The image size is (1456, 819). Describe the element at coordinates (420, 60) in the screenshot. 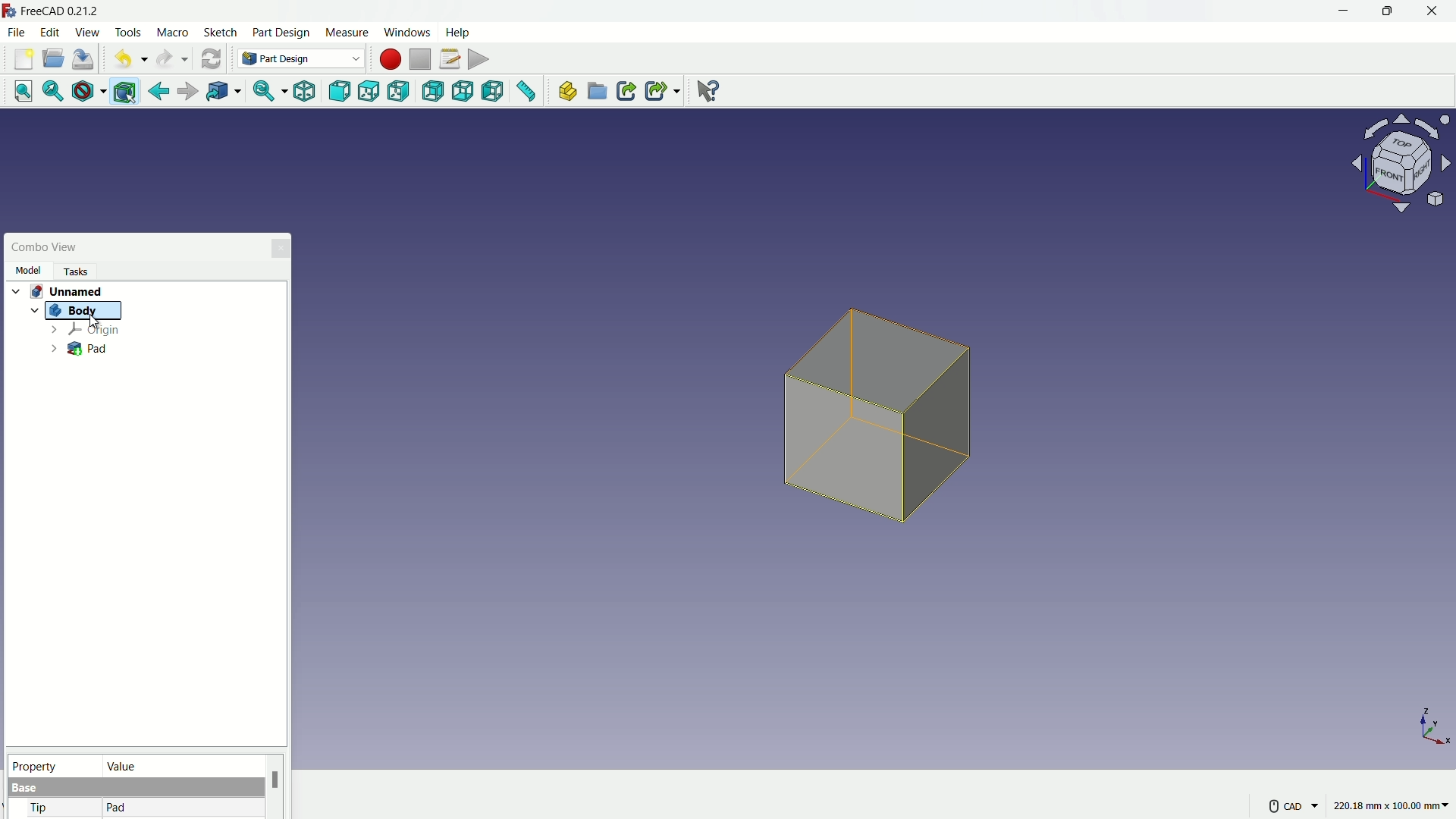

I see `stop macros` at that location.